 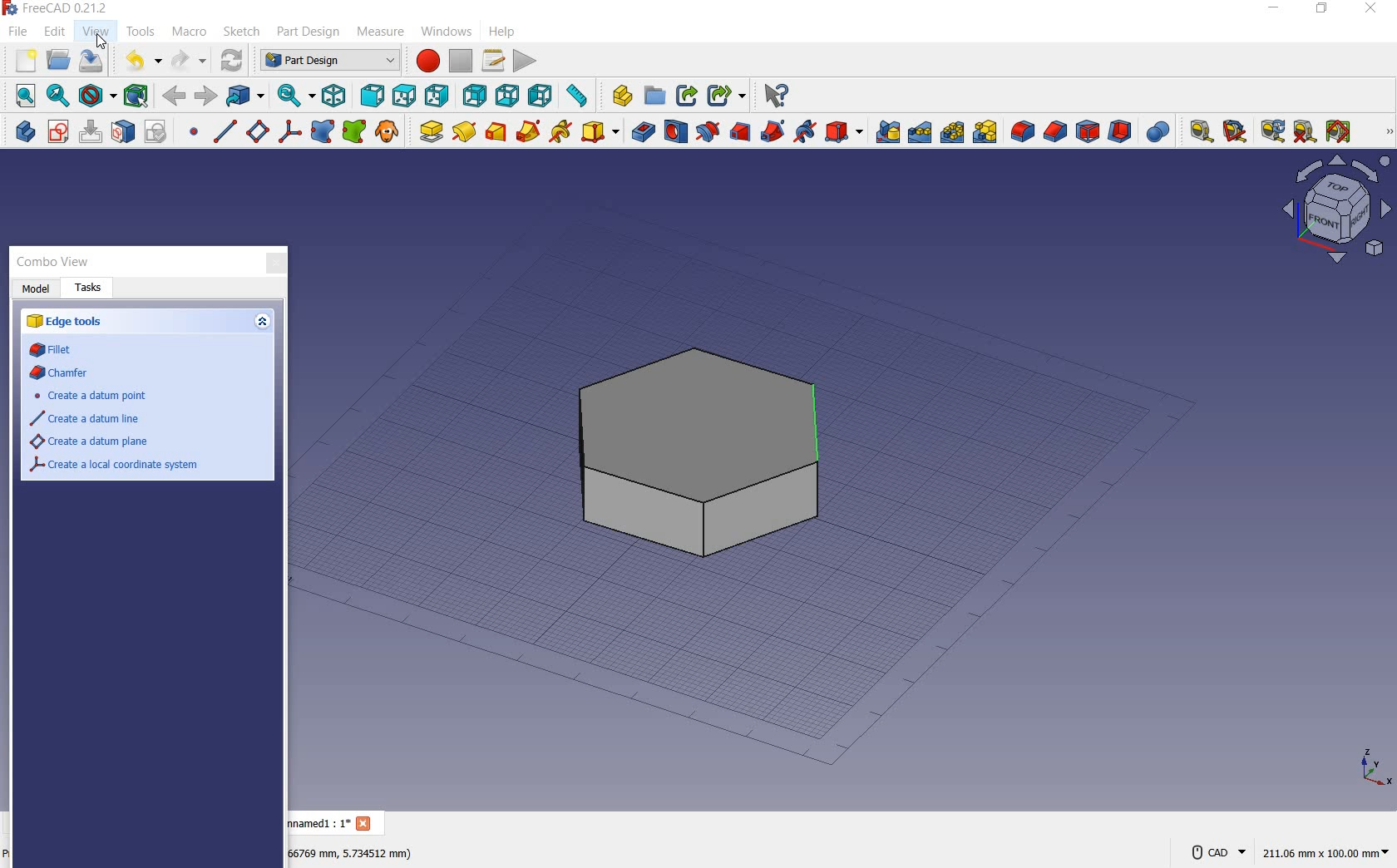 What do you see at coordinates (1323, 11) in the screenshot?
I see `RESTORE DOWN` at bounding box center [1323, 11].